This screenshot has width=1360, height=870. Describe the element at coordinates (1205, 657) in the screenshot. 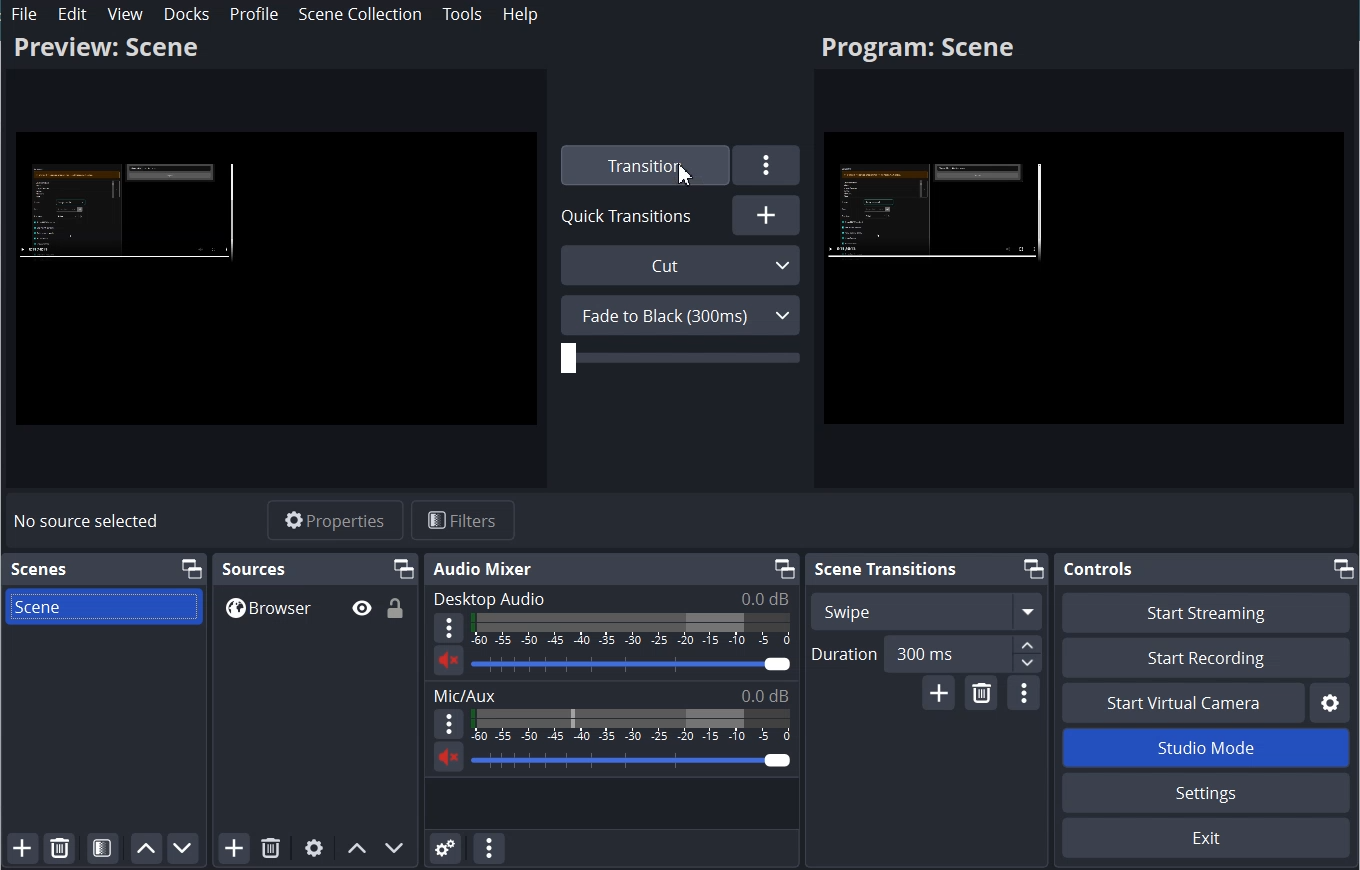

I see `Start Recording` at that location.